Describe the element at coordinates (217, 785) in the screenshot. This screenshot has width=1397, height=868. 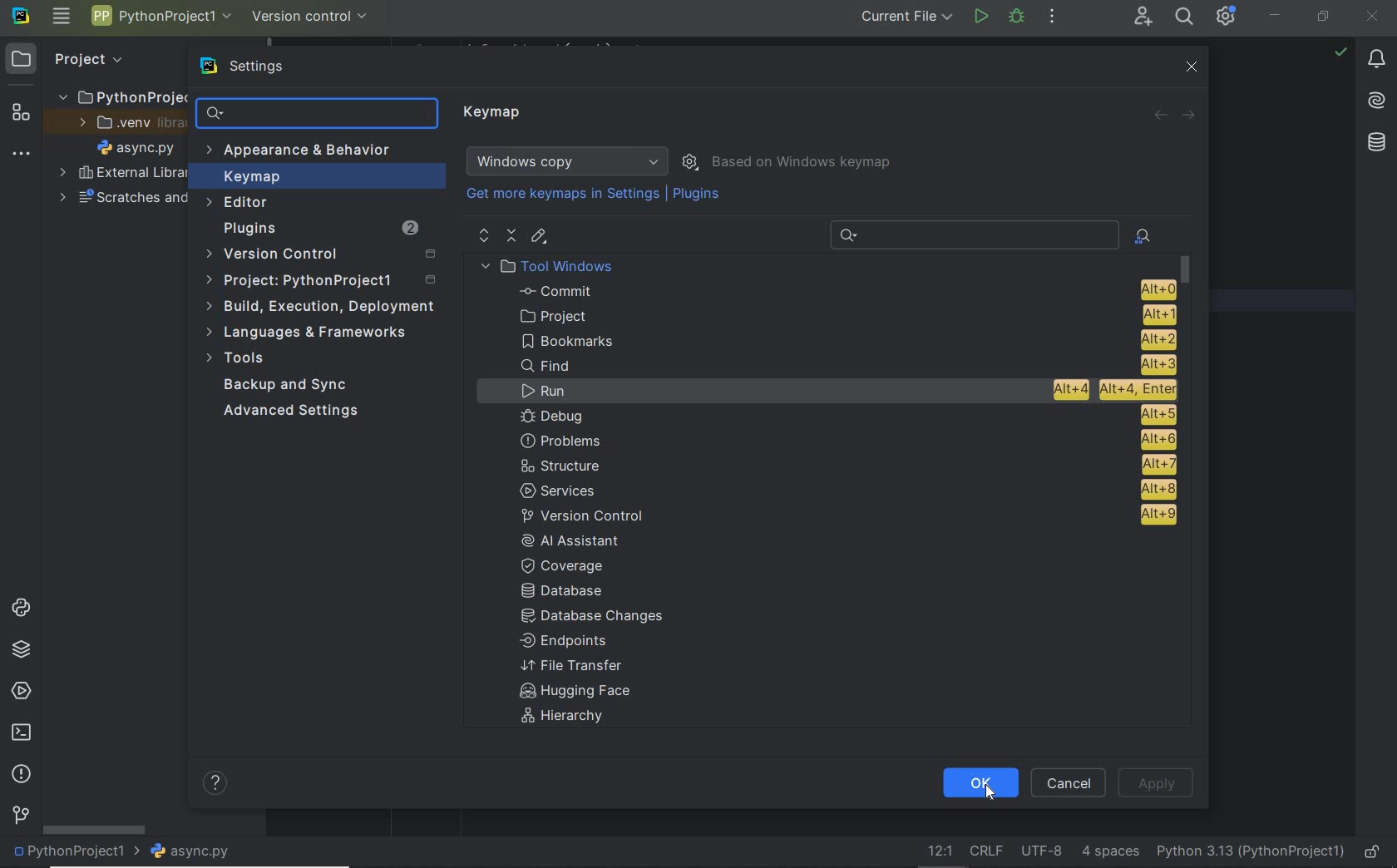
I see `help` at that location.